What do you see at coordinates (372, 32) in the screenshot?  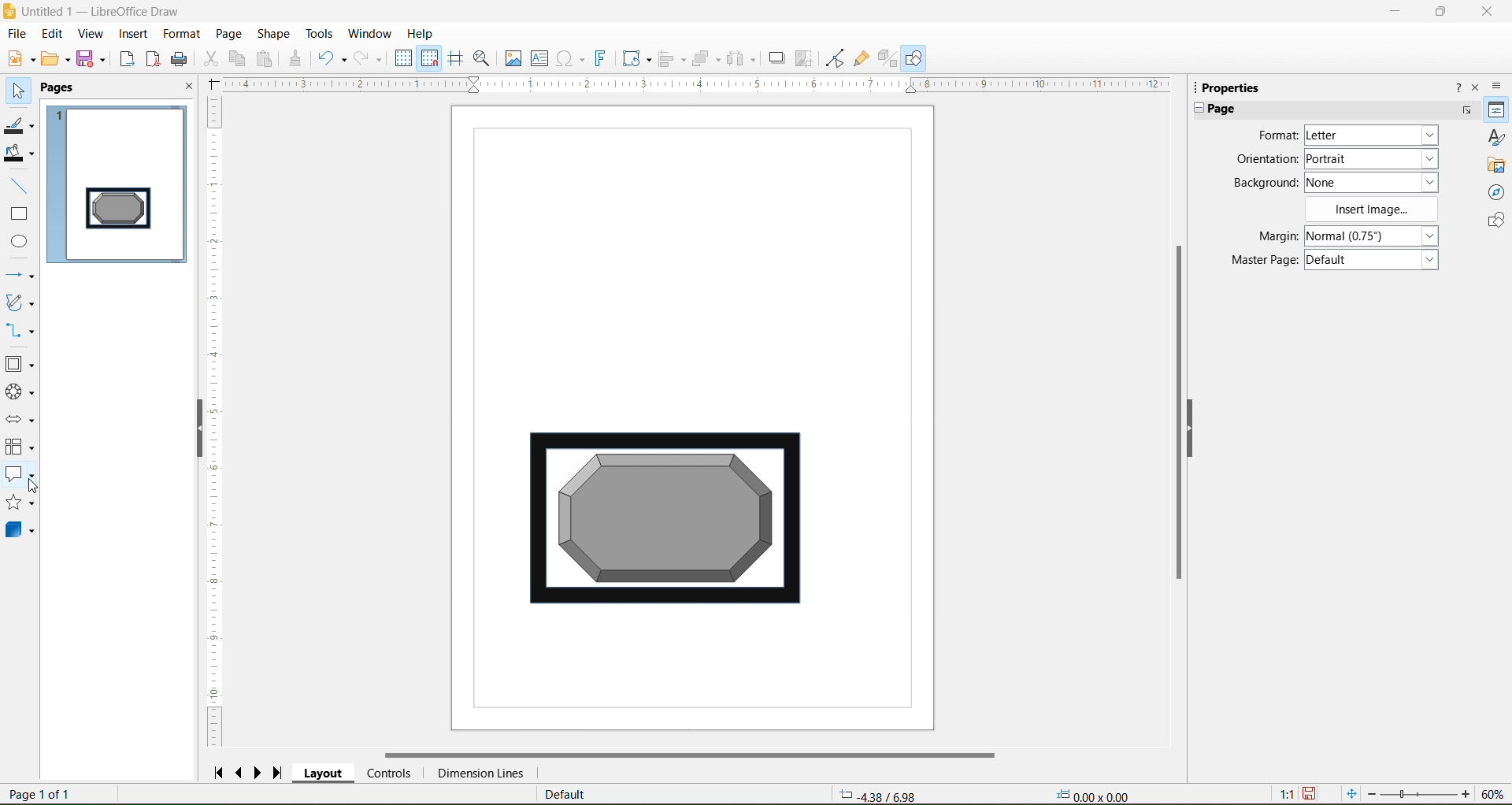 I see `Window` at bounding box center [372, 32].